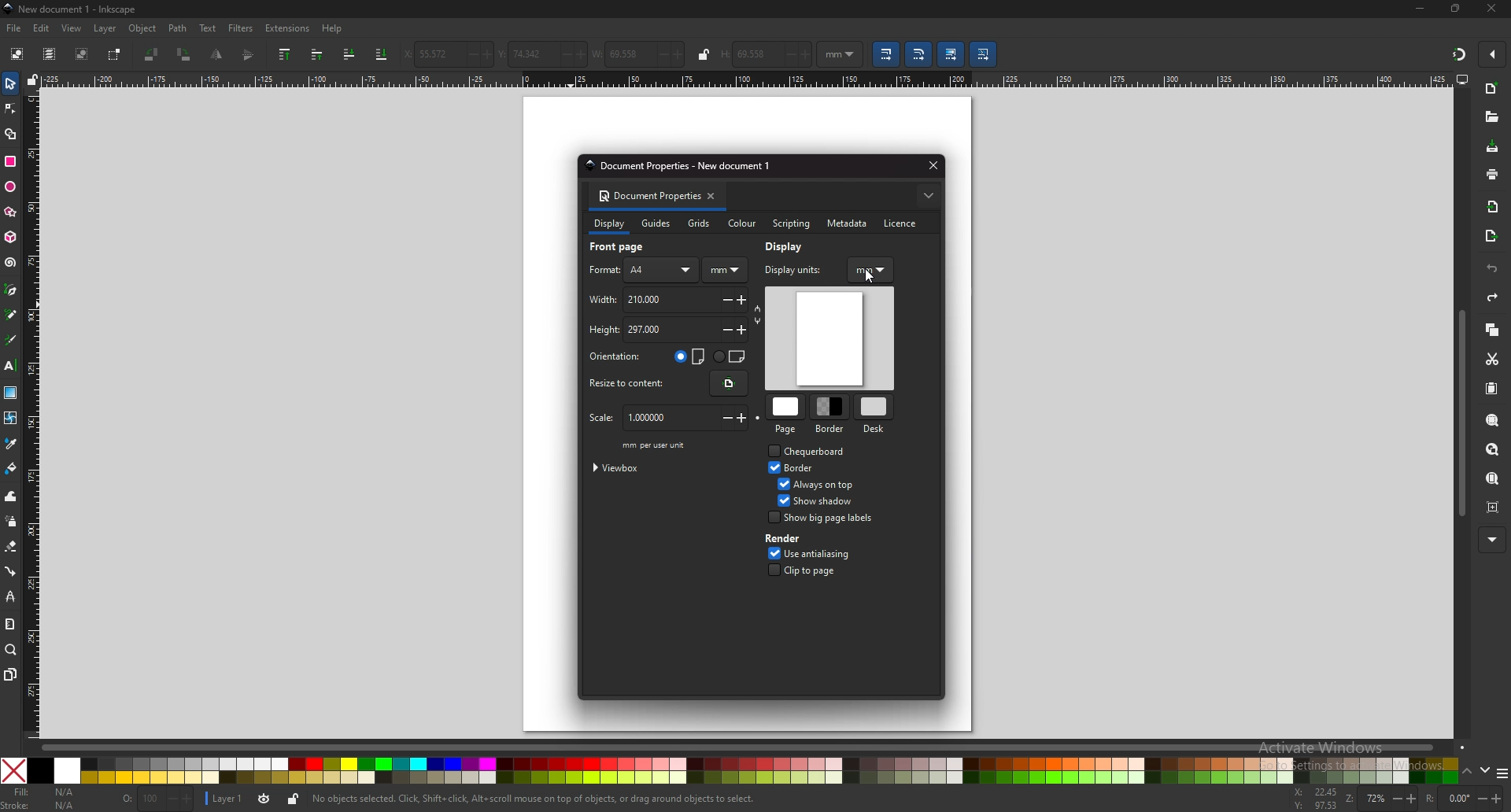 The image size is (1511, 812). What do you see at coordinates (1492, 360) in the screenshot?
I see `cut` at bounding box center [1492, 360].